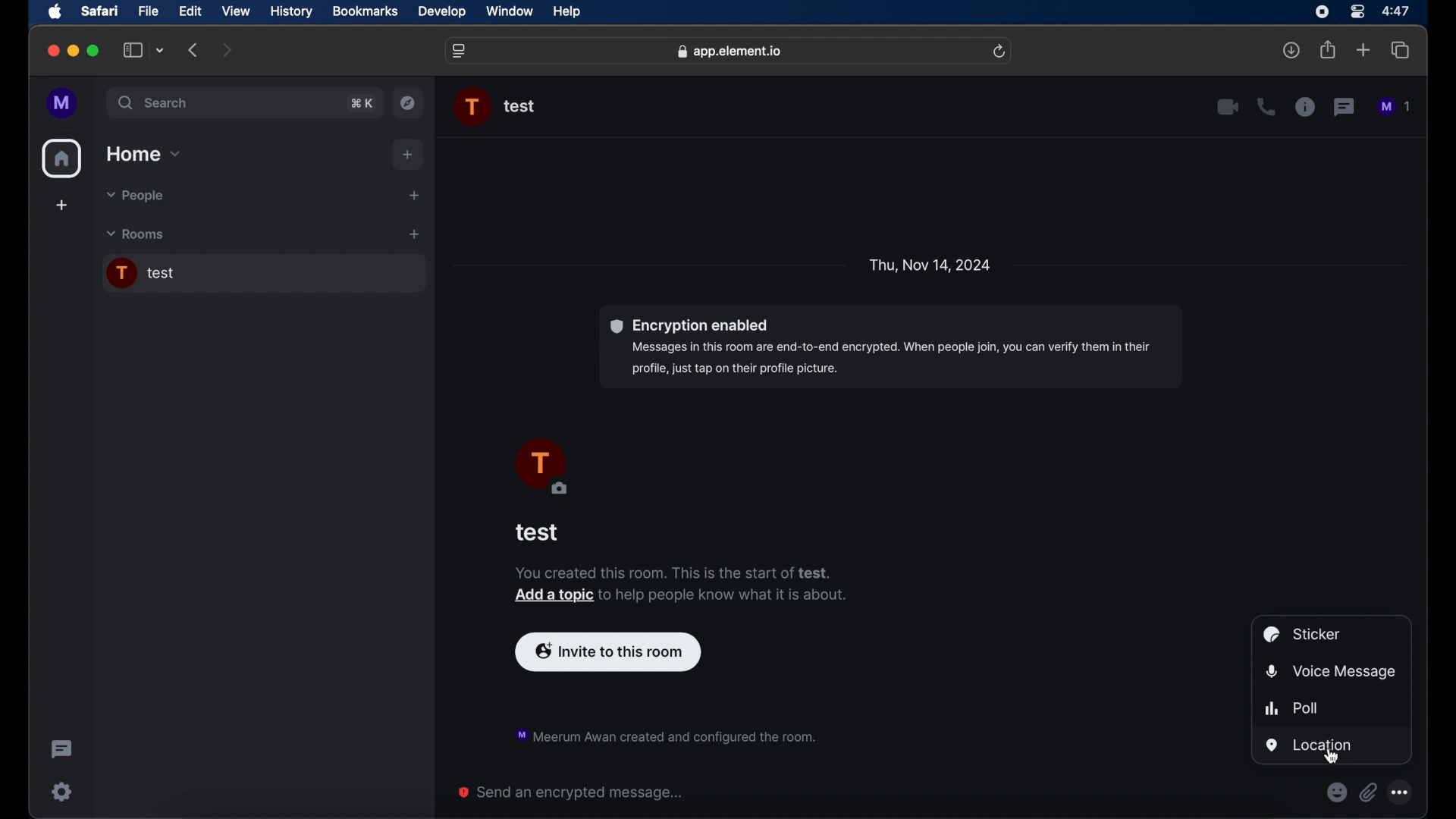 The height and width of the screenshot is (819, 1456). I want to click on website settings, so click(460, 51).